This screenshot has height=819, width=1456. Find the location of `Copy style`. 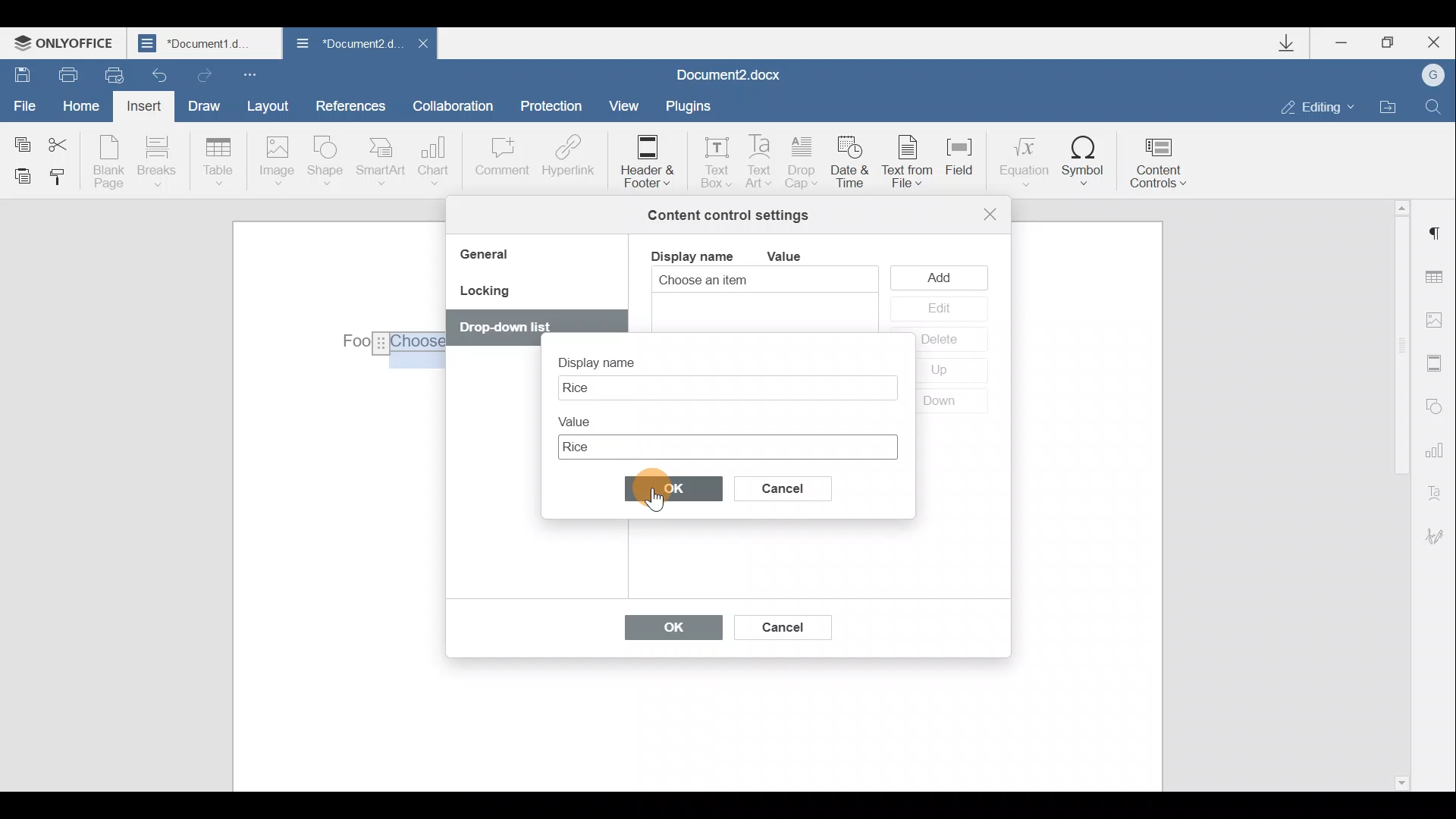

Copy style is located at coordinates (59, 180).